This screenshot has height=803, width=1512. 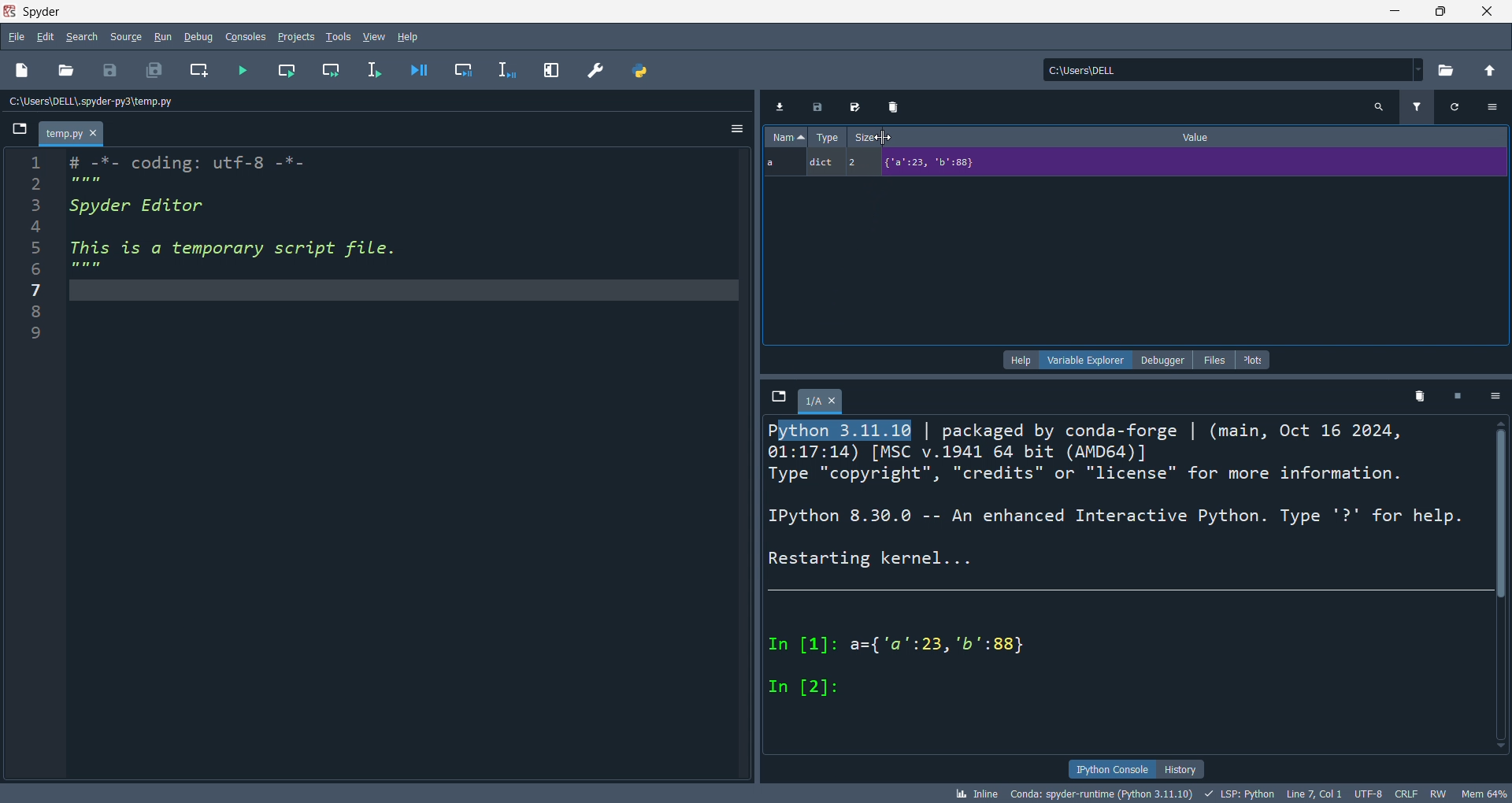 I want to click on help, so click(x=1017, y=360).